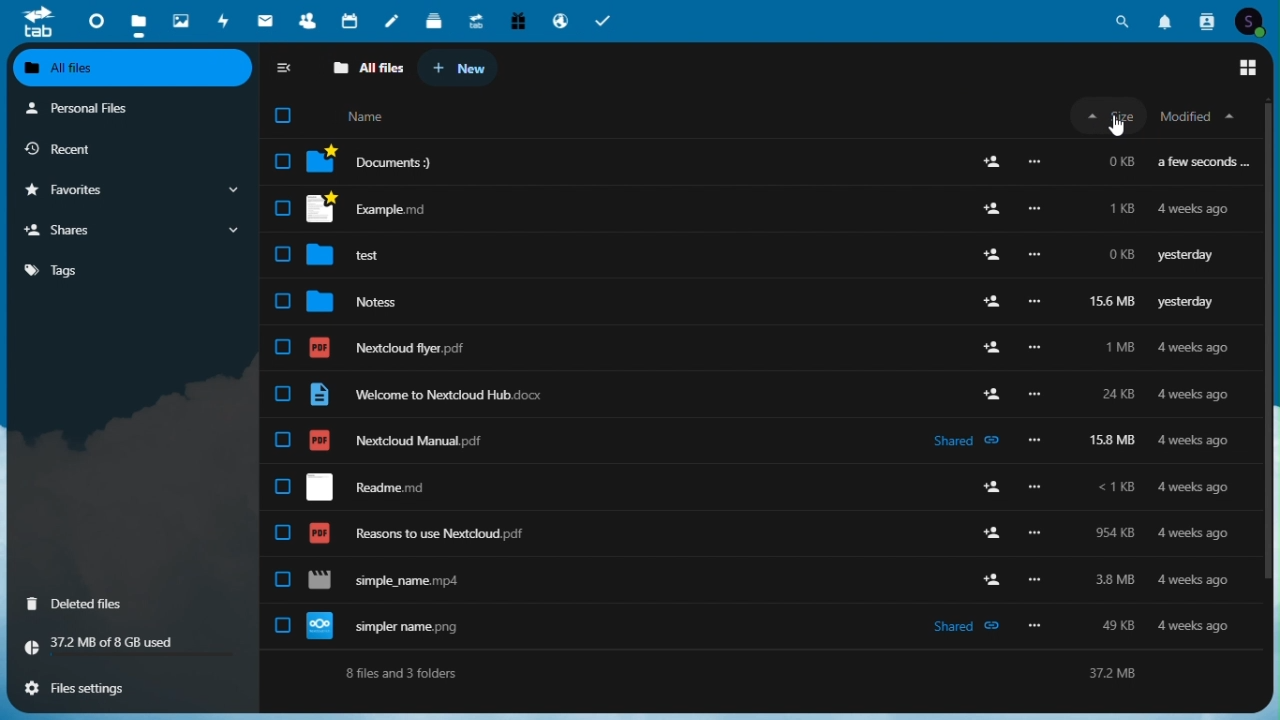 This screenshot has width=1280, height=720. I want to click on | Documents?), so click(760, 164).